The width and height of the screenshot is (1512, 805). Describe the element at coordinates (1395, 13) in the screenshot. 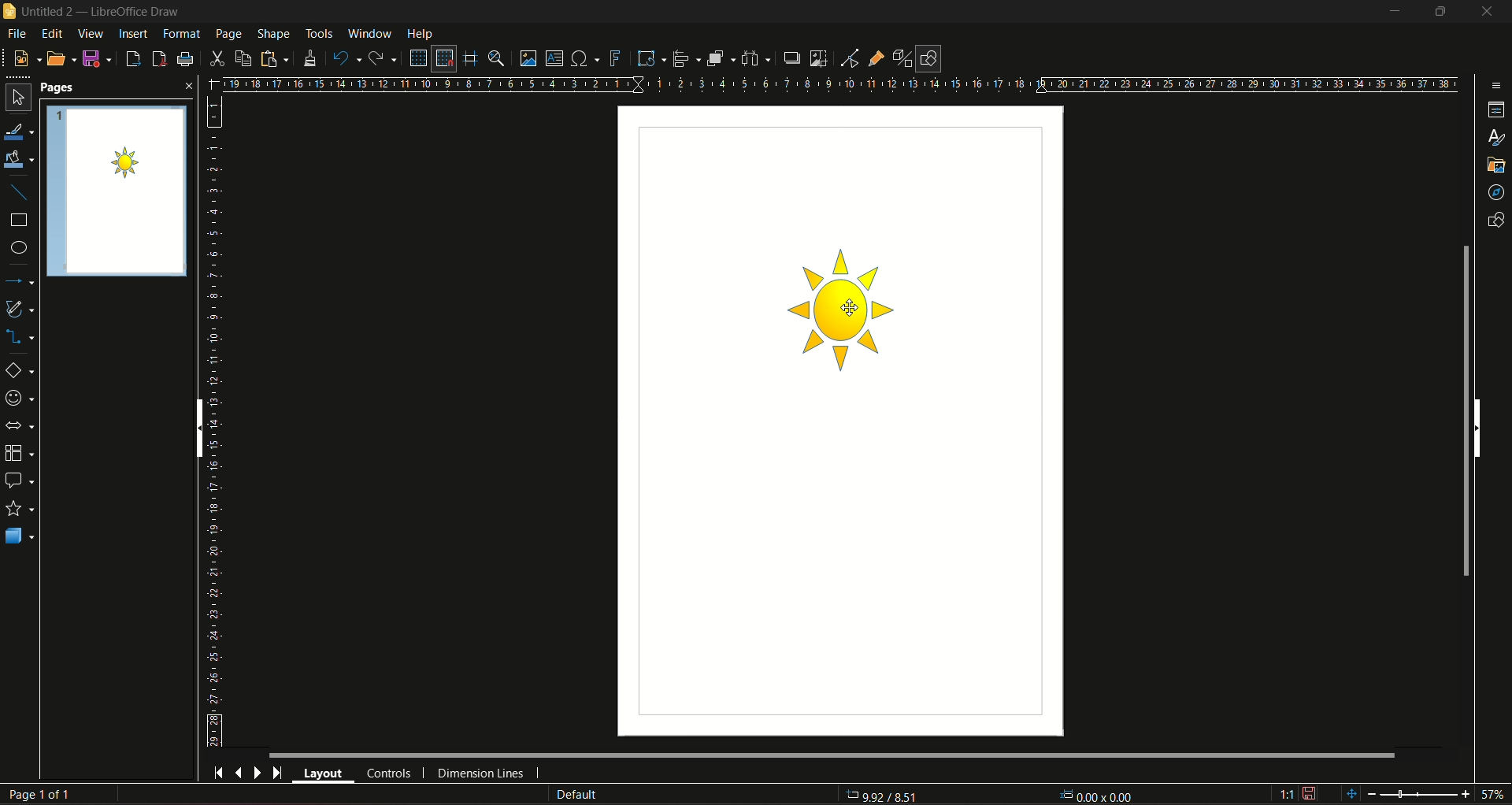

I see `minimize` at that location.